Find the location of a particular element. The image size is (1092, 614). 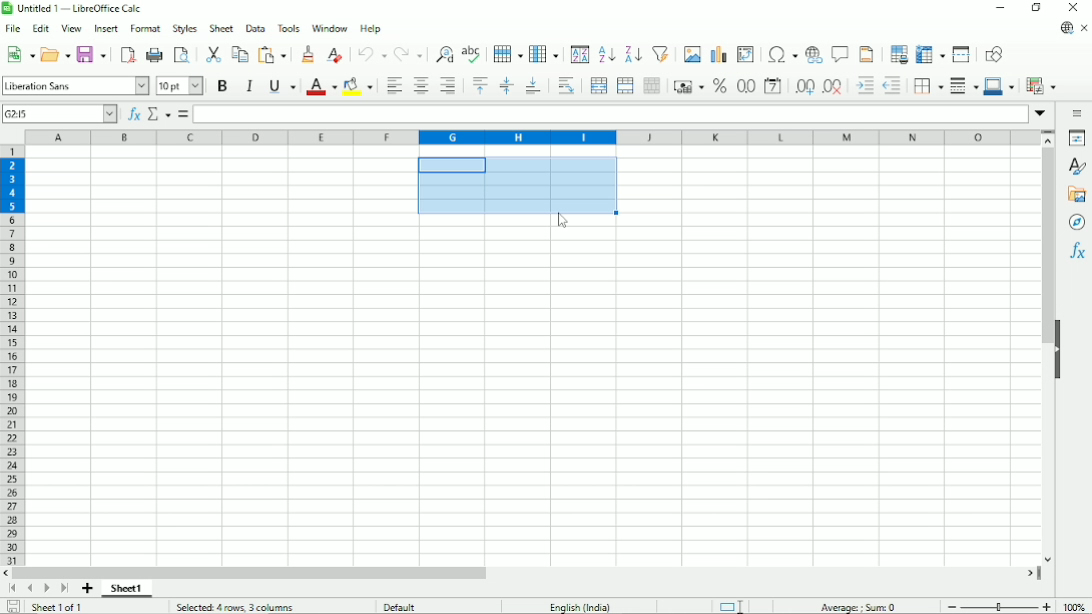

Update available is located at coordinates (1065, 28).